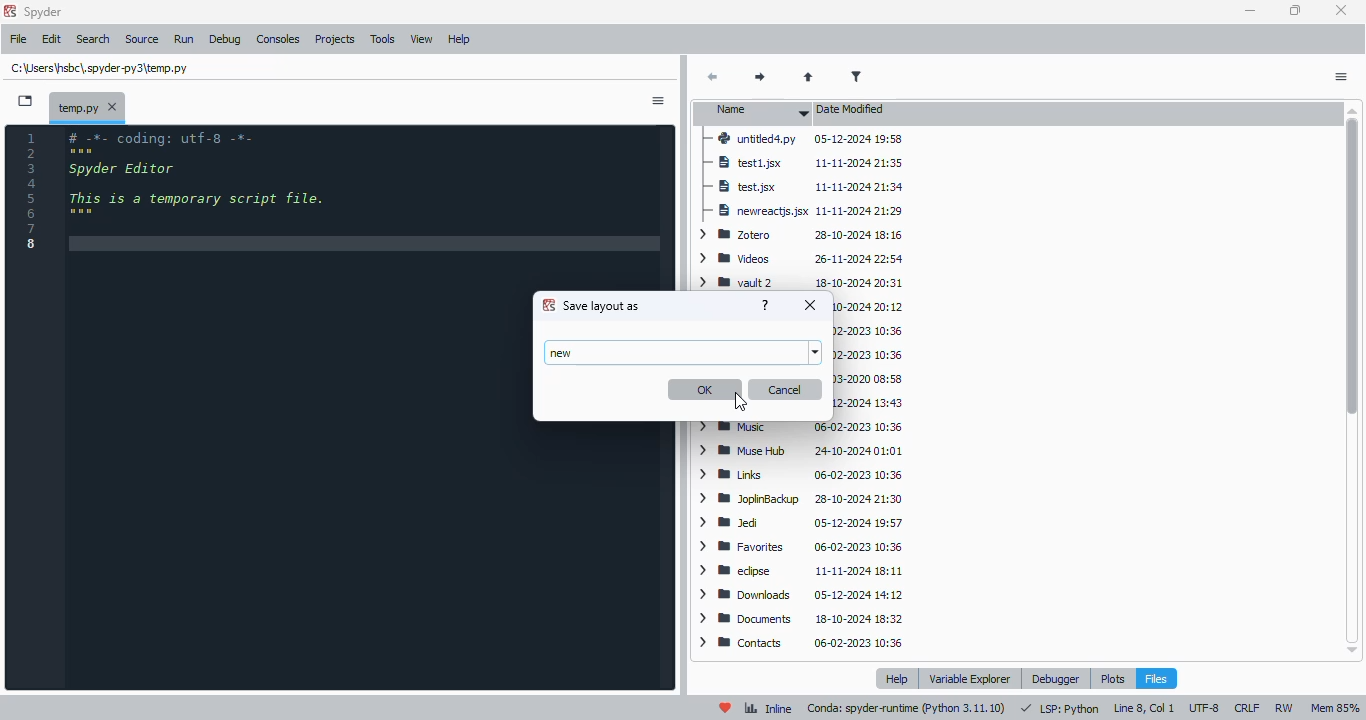 Image resolution: width=1366 pixels, height=720 pixels. What do you see at coordinates (226, 40) in the screenshot?
I see `debug` at bounding box center [226, 40].